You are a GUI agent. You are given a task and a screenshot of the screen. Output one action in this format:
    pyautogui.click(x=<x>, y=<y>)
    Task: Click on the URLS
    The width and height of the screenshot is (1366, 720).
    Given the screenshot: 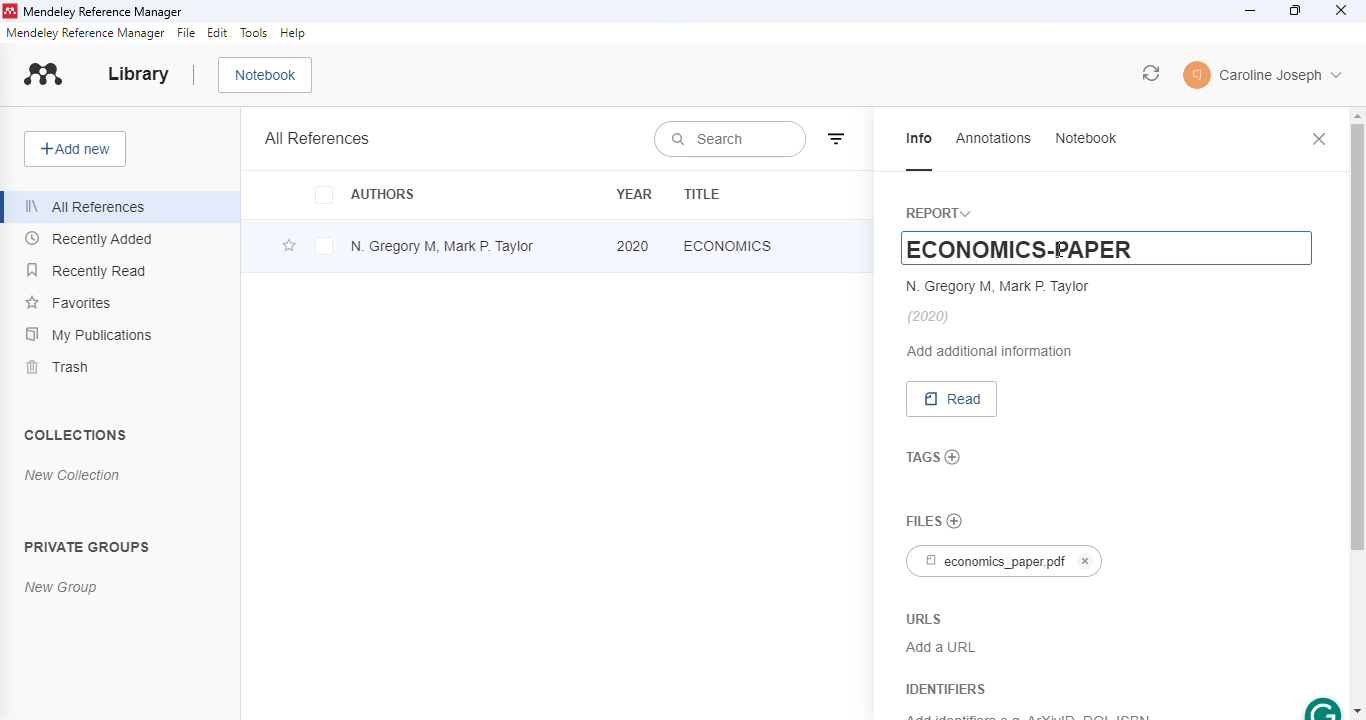 What is the action you would take?
    pyautogui.click(x=923, y=618)
    